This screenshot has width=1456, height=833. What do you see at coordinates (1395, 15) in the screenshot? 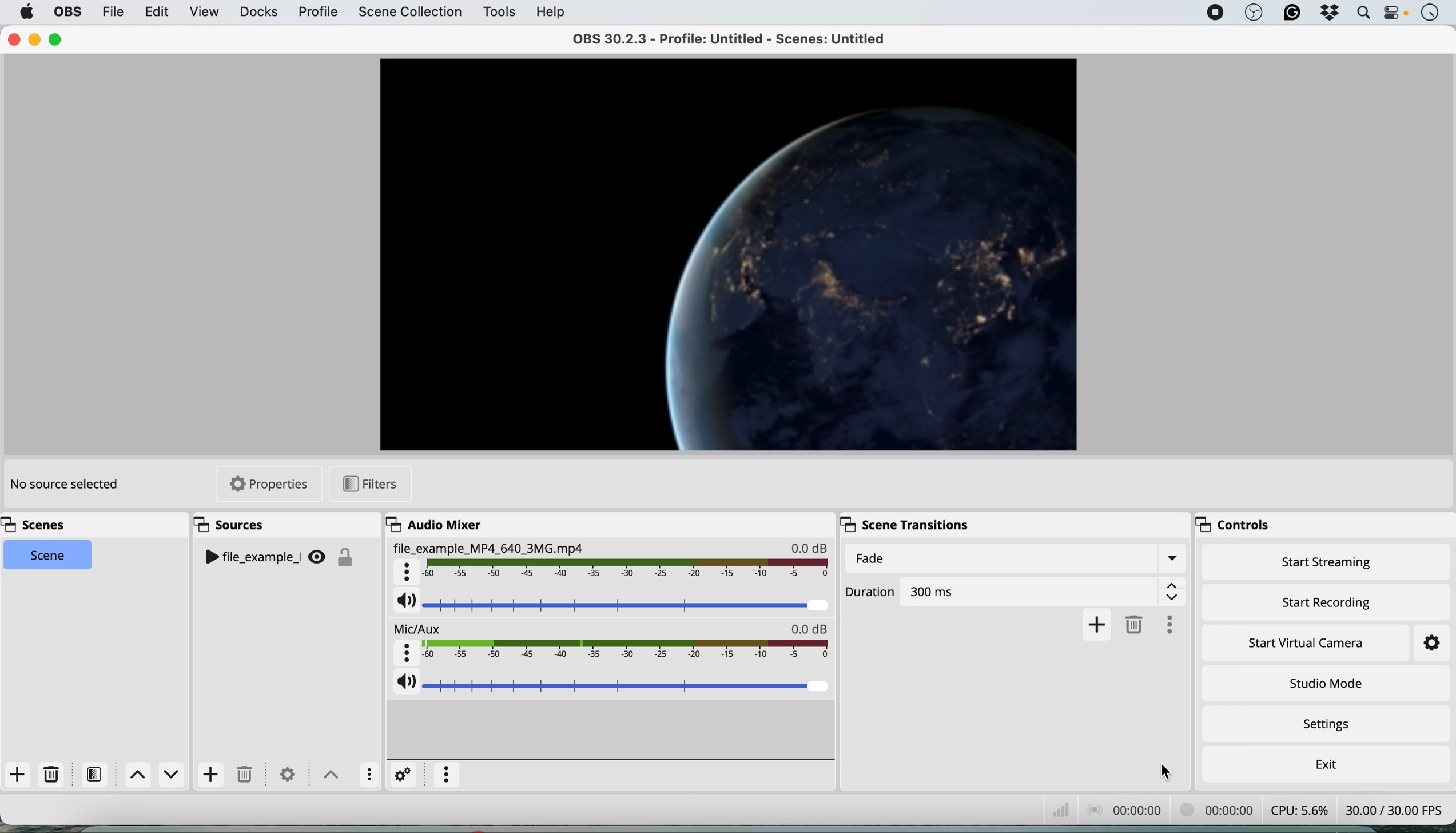
I see `control cener` at bounding box center [1395, 15].